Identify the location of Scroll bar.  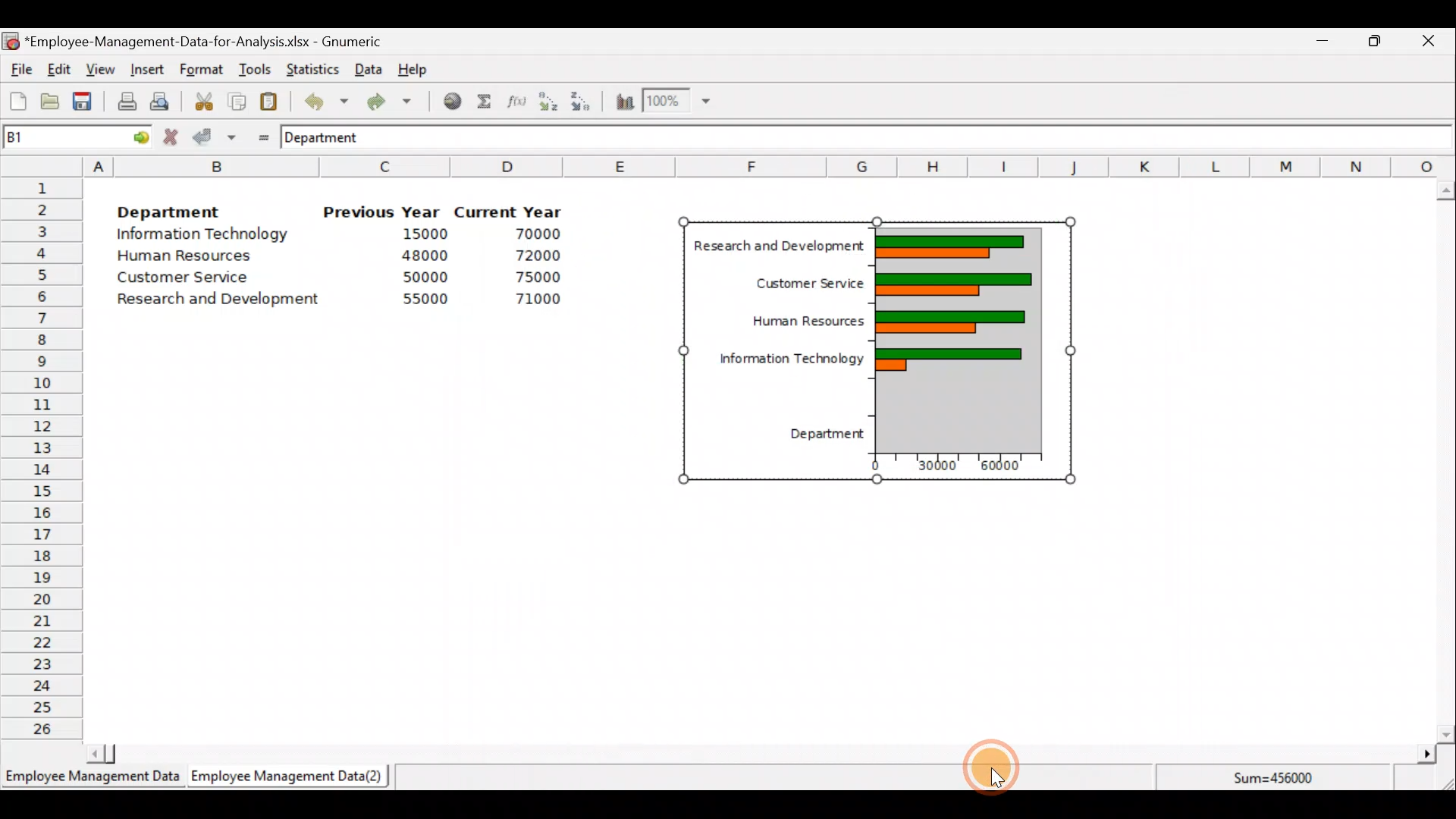
(1445, 462).